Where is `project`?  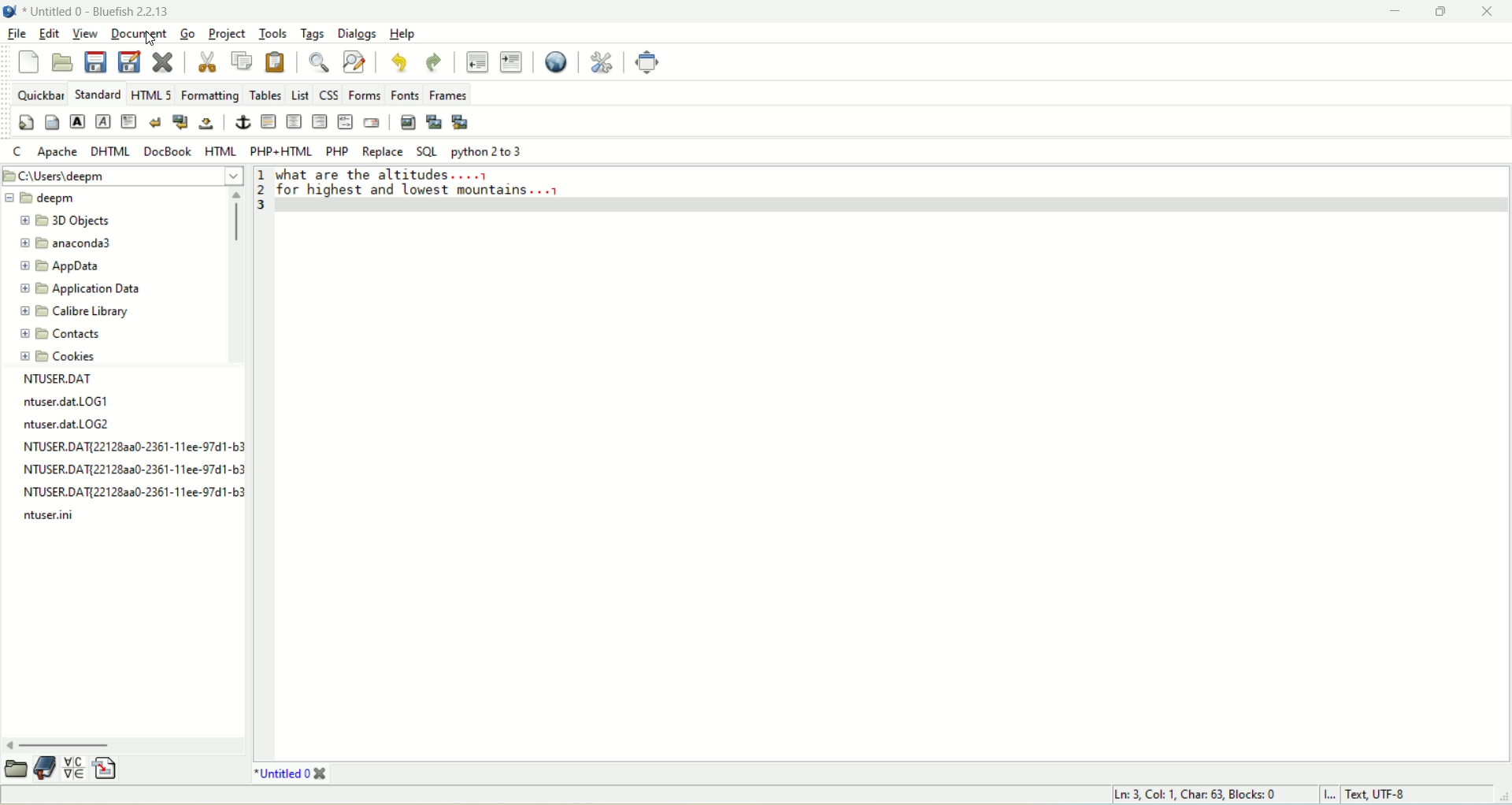 project is located at coordinates (226, 33).